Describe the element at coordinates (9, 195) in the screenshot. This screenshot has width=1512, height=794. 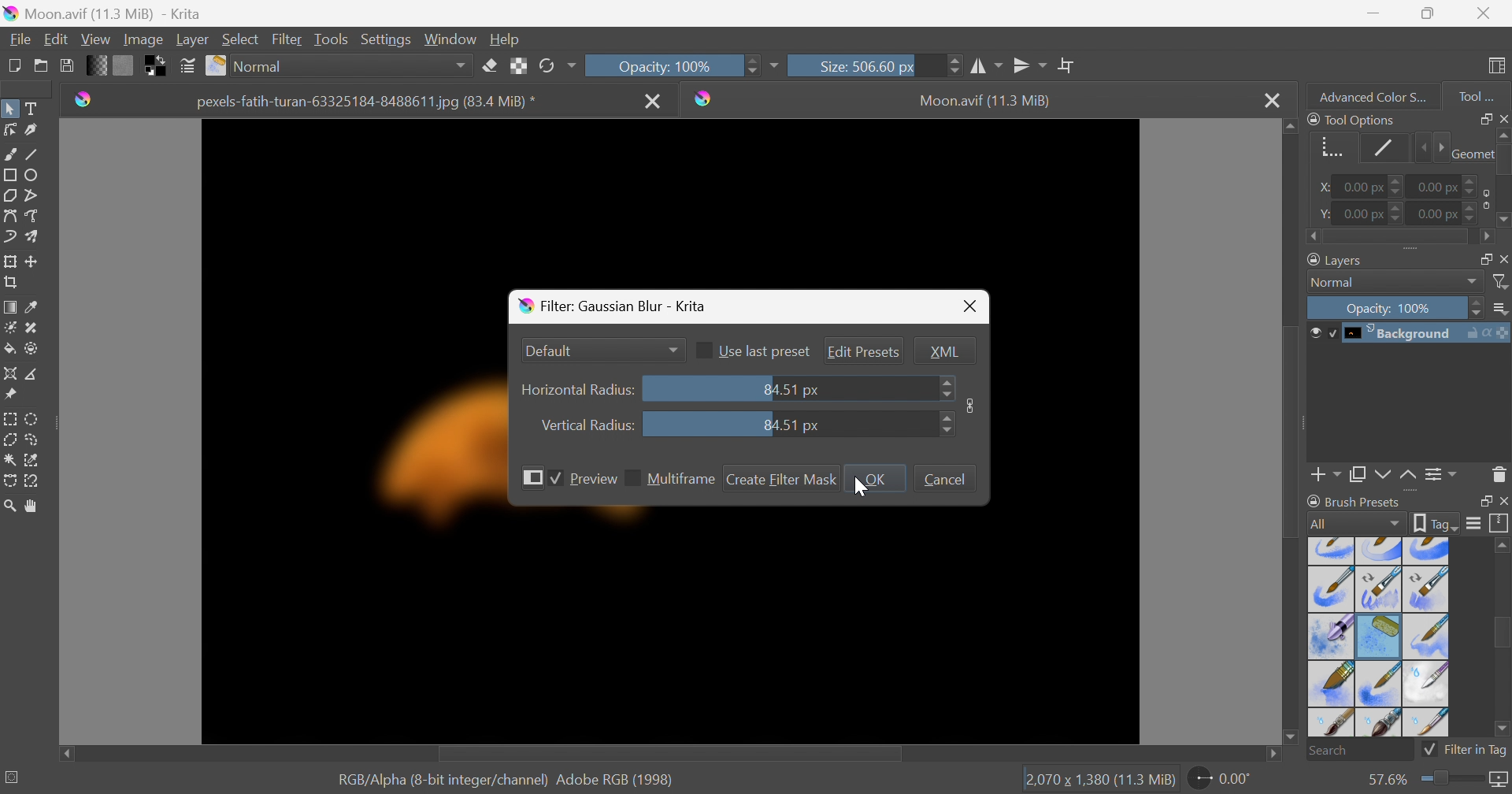
I see `Polygon tool` at that location.